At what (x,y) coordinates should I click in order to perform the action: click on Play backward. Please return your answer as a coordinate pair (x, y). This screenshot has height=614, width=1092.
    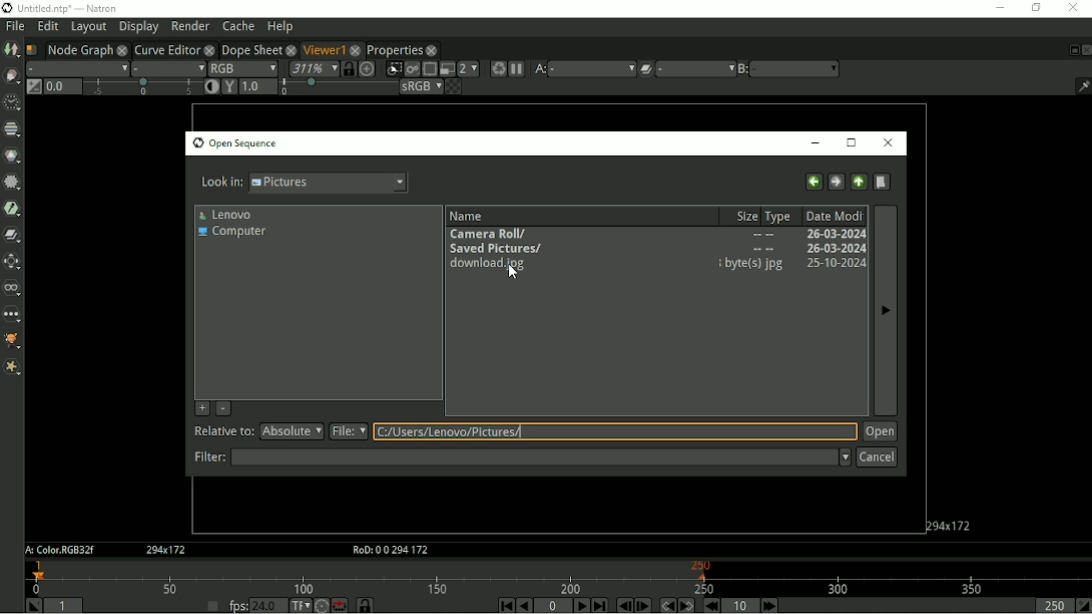
    Looking at the image, I should click on (525, 606).